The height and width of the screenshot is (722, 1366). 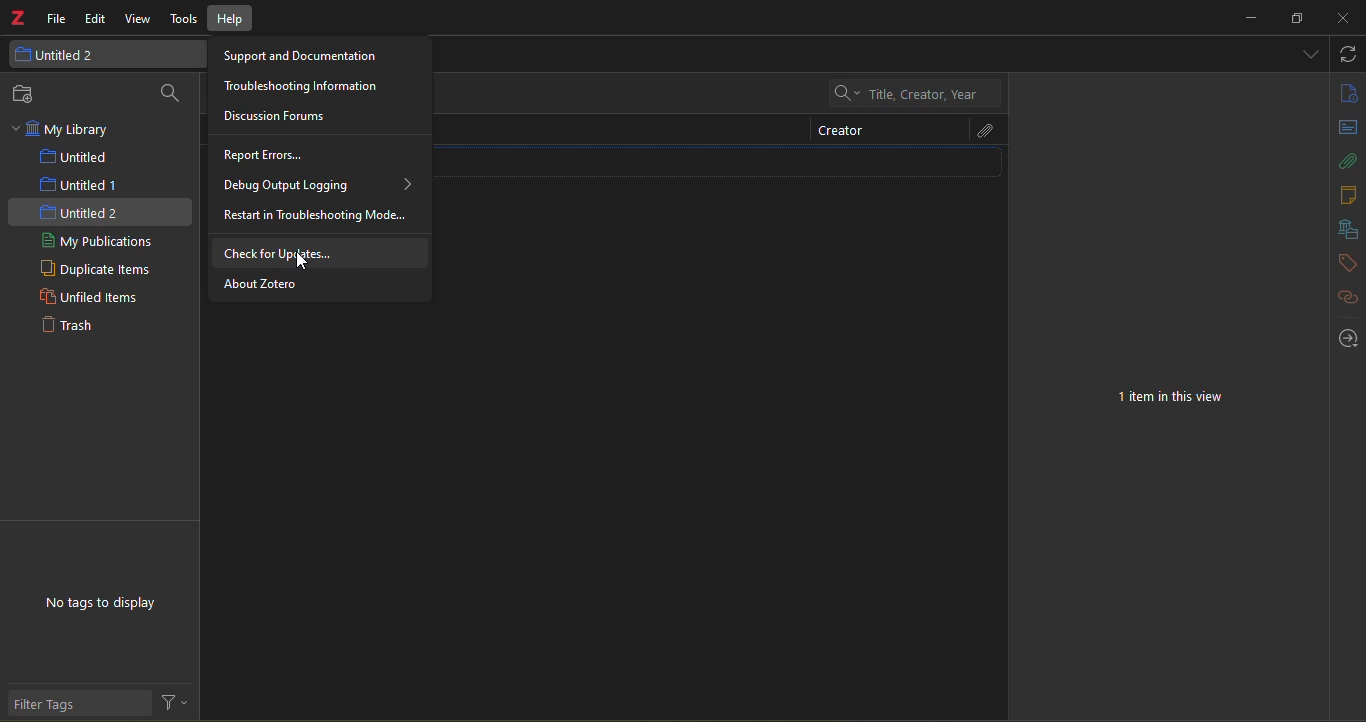 What do you see at coordinates (80, 185) in the screenshot?
I see `untitled 1` at bounding box center [80, 185].